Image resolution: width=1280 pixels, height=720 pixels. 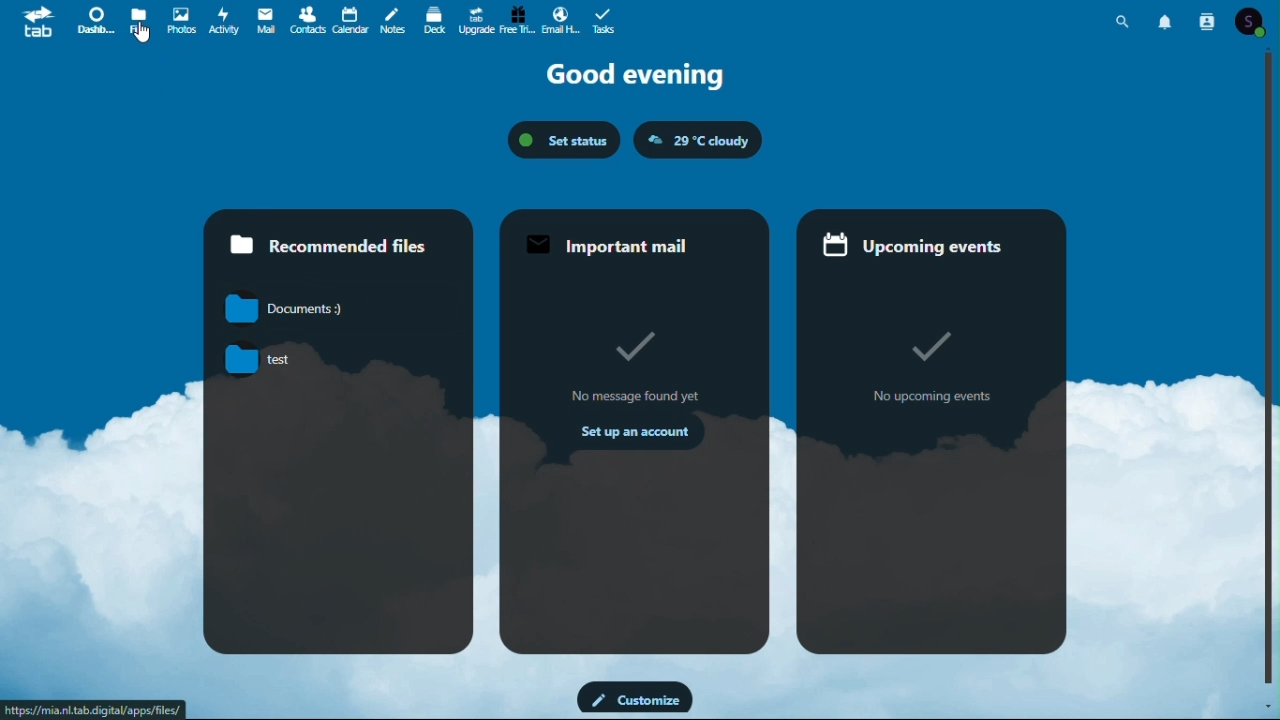 I want to click on Recommended files, so click(x=339, y=434).